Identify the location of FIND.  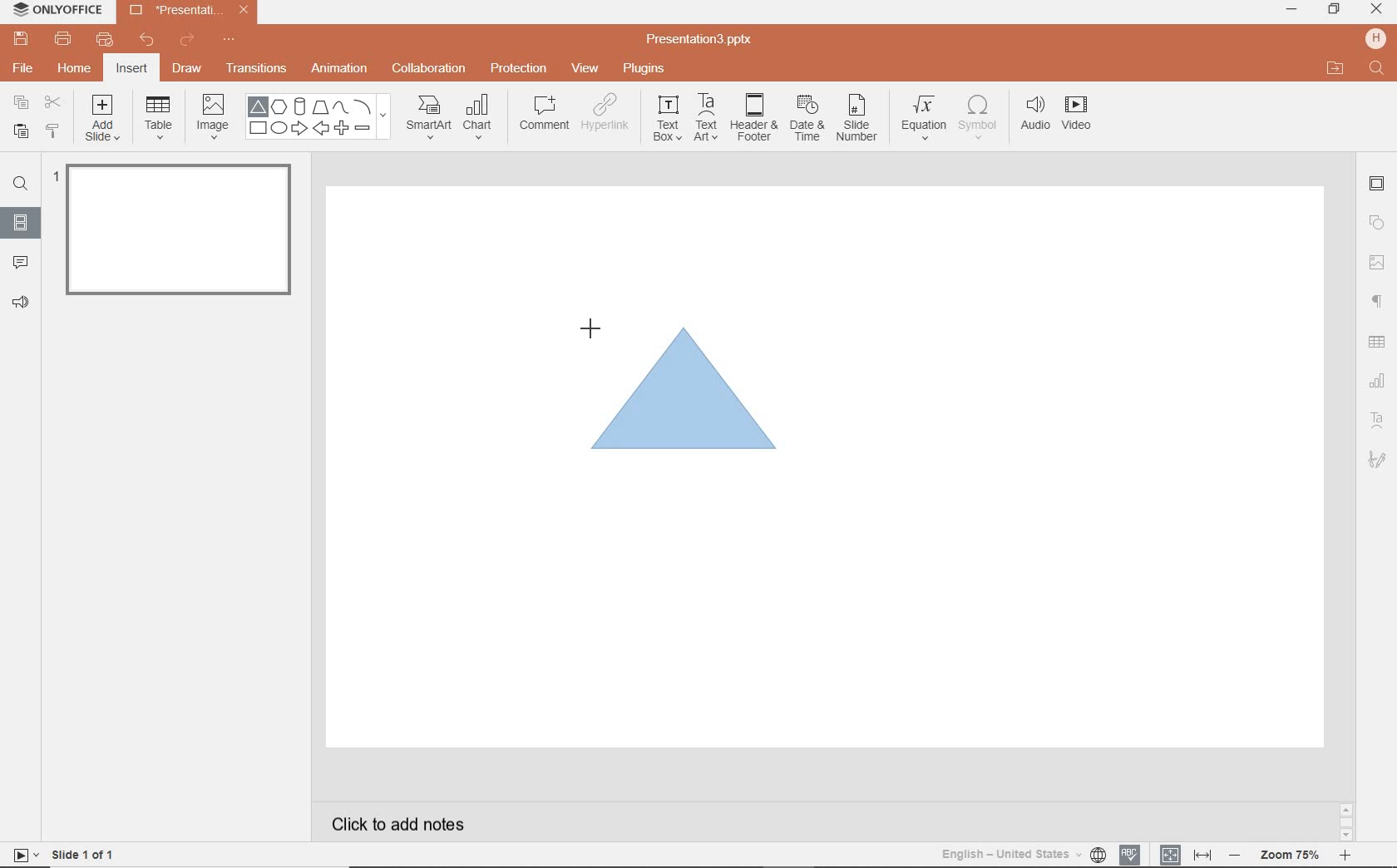
(20, 186).